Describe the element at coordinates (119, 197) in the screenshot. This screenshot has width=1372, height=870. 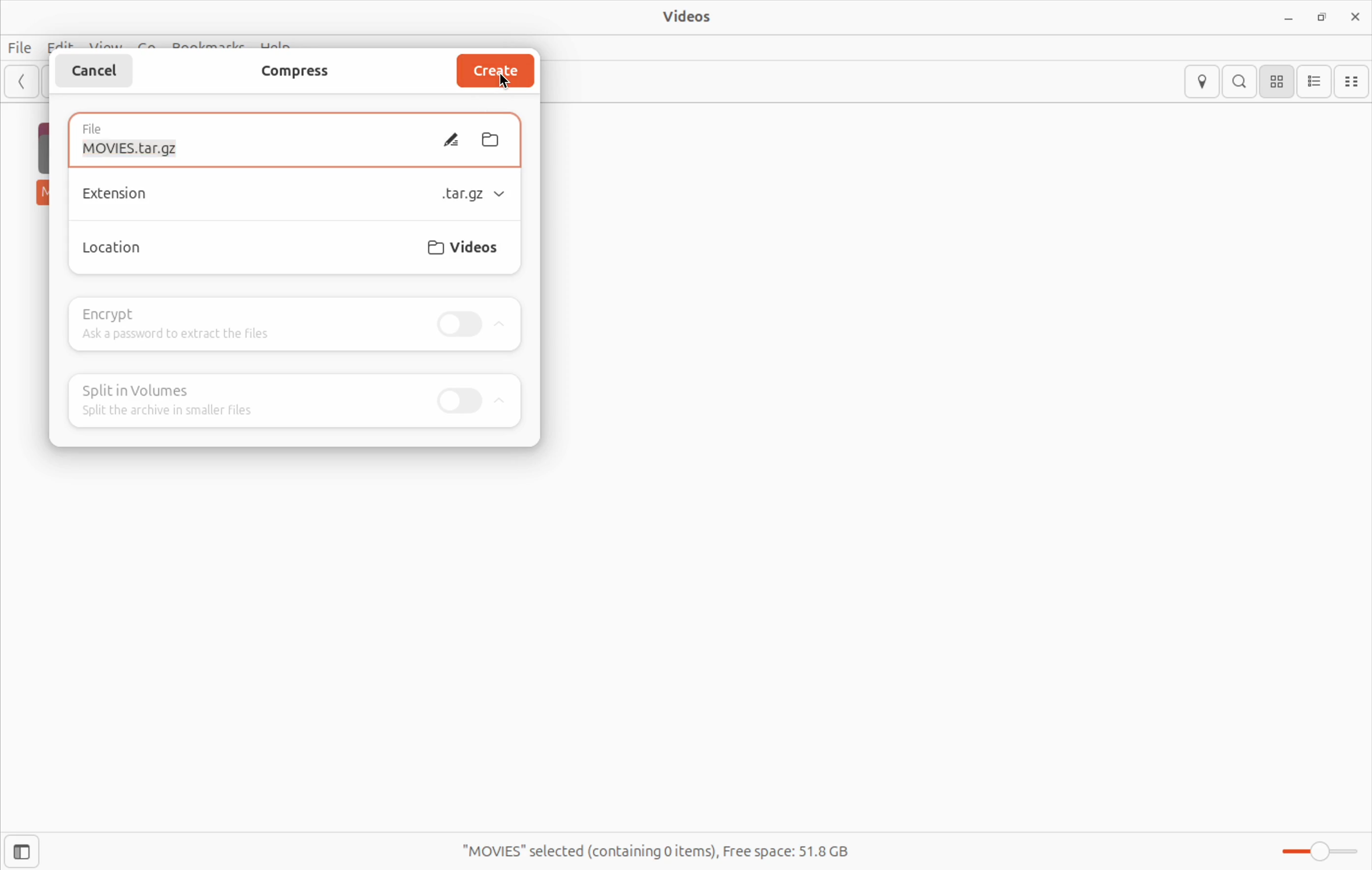
I see `Extensions` at that location.